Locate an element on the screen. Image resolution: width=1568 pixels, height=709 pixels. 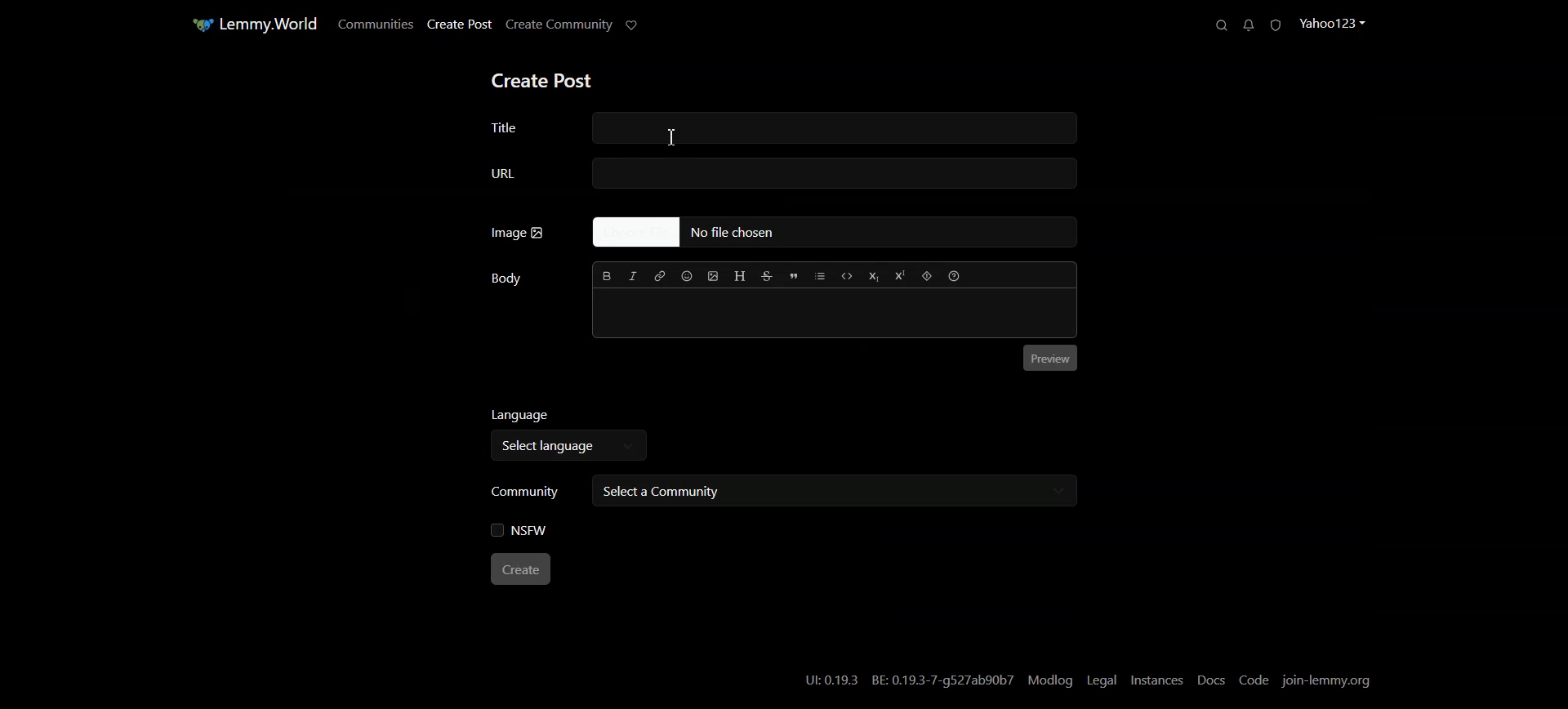
Unread Messages is located at coordinates (1248, 25).